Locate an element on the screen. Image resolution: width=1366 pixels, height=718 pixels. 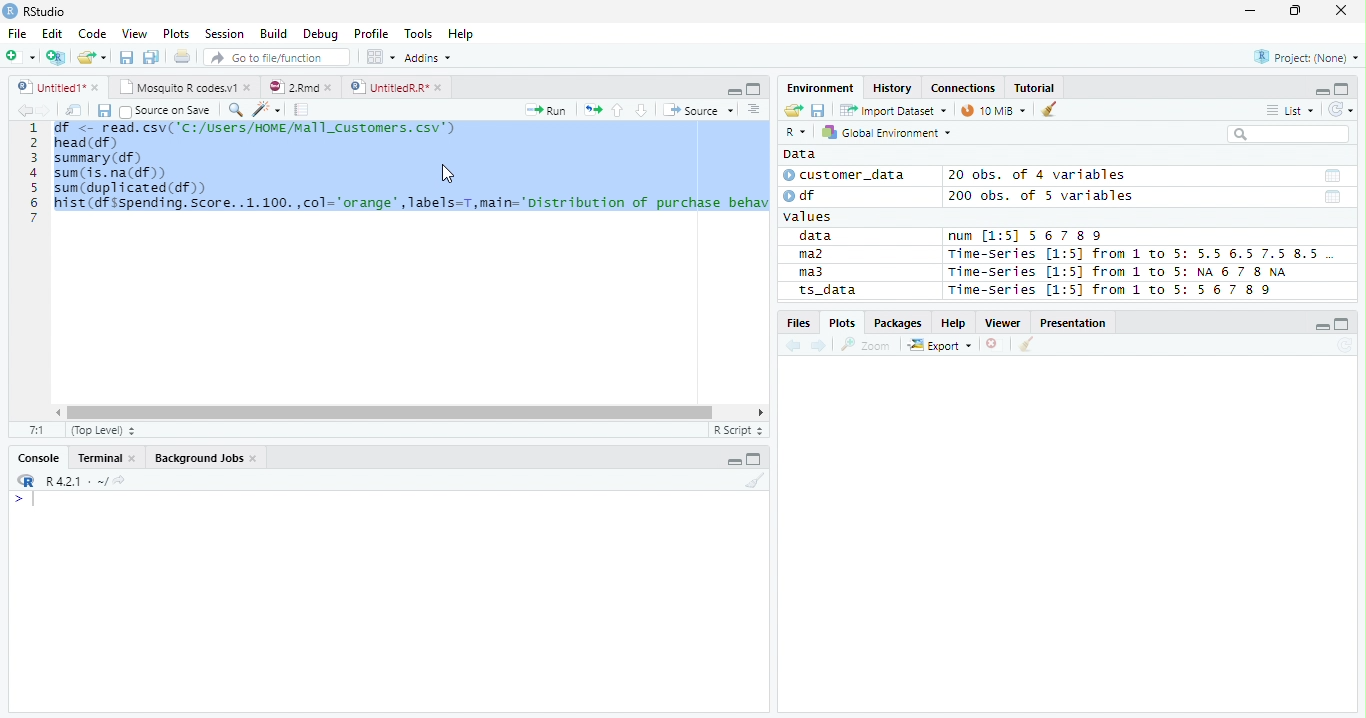
Profile is located at coordinates (370, 34).